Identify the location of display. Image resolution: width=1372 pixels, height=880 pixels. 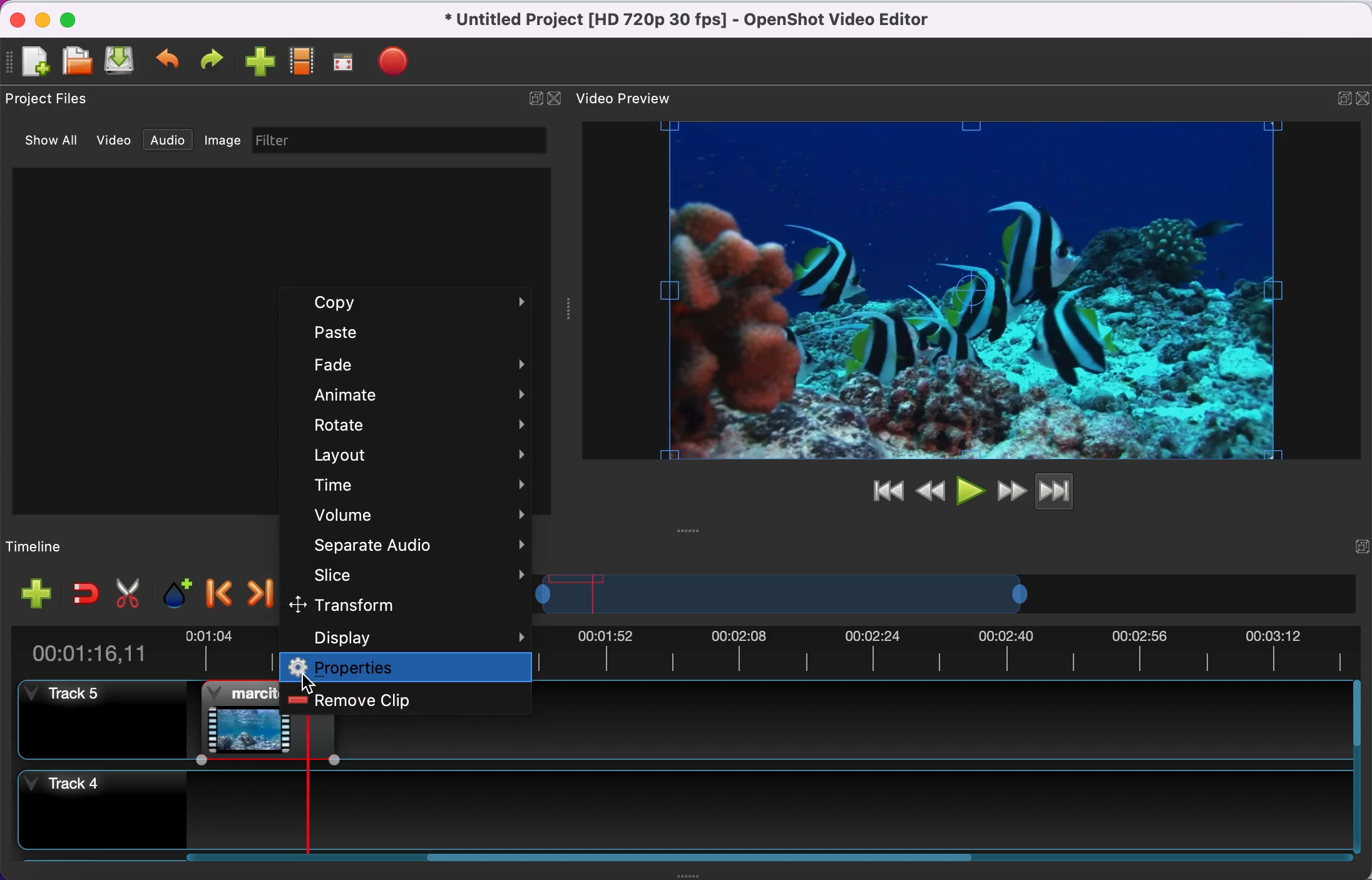
(416, 637).